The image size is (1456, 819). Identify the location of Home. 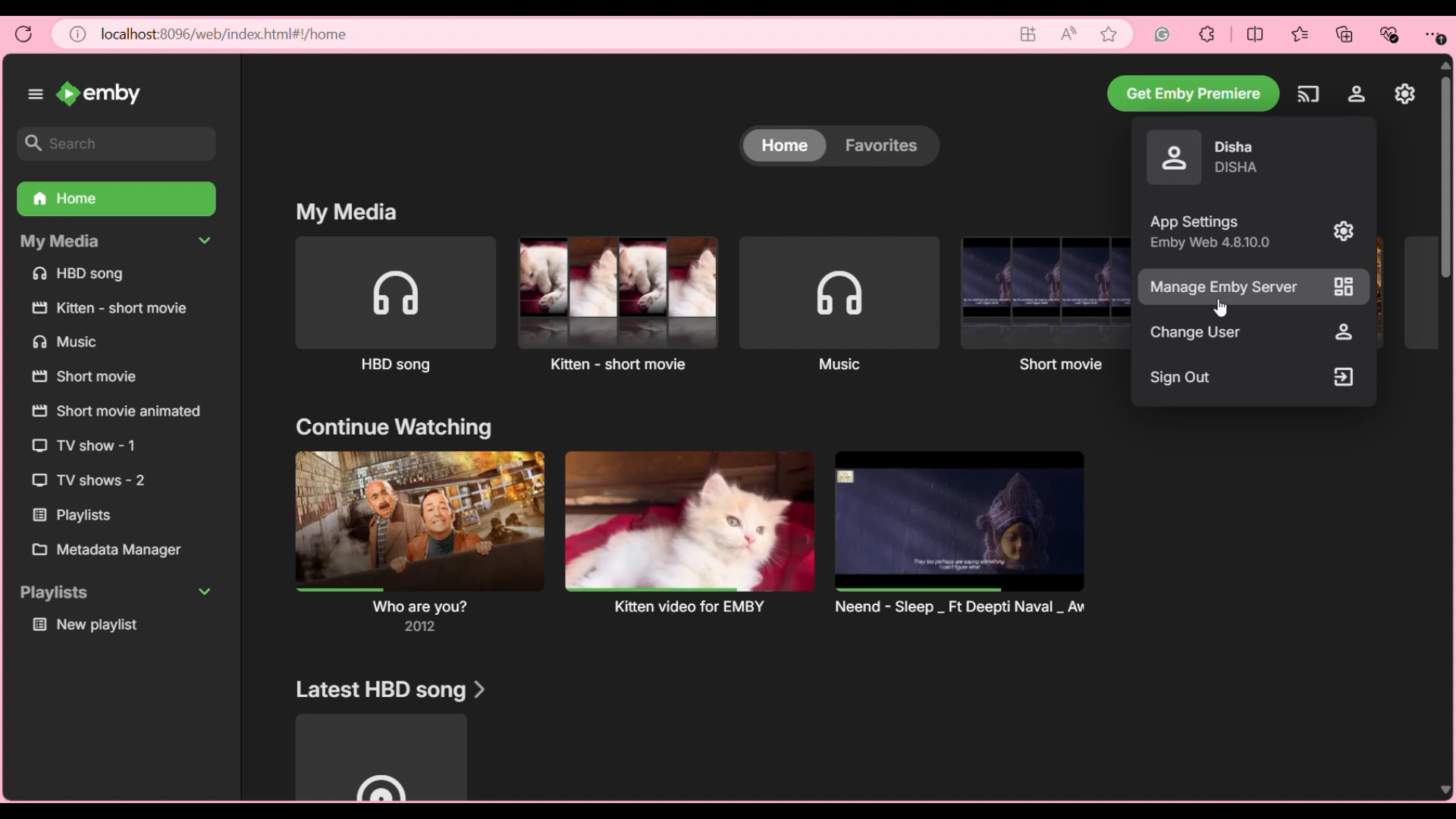
(785, 145).